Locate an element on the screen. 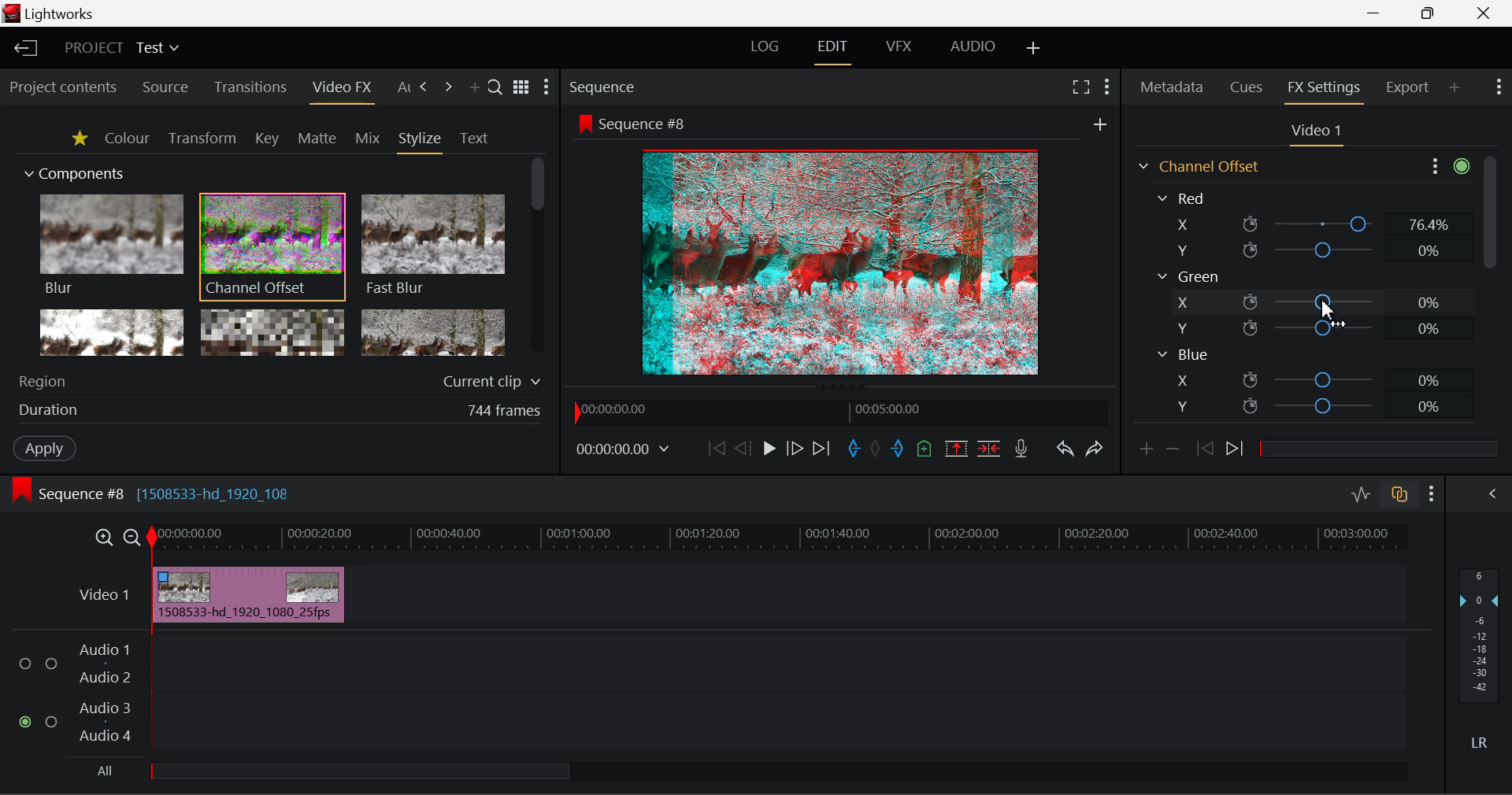  Decibel Level is located at coordinates (1480, 657).